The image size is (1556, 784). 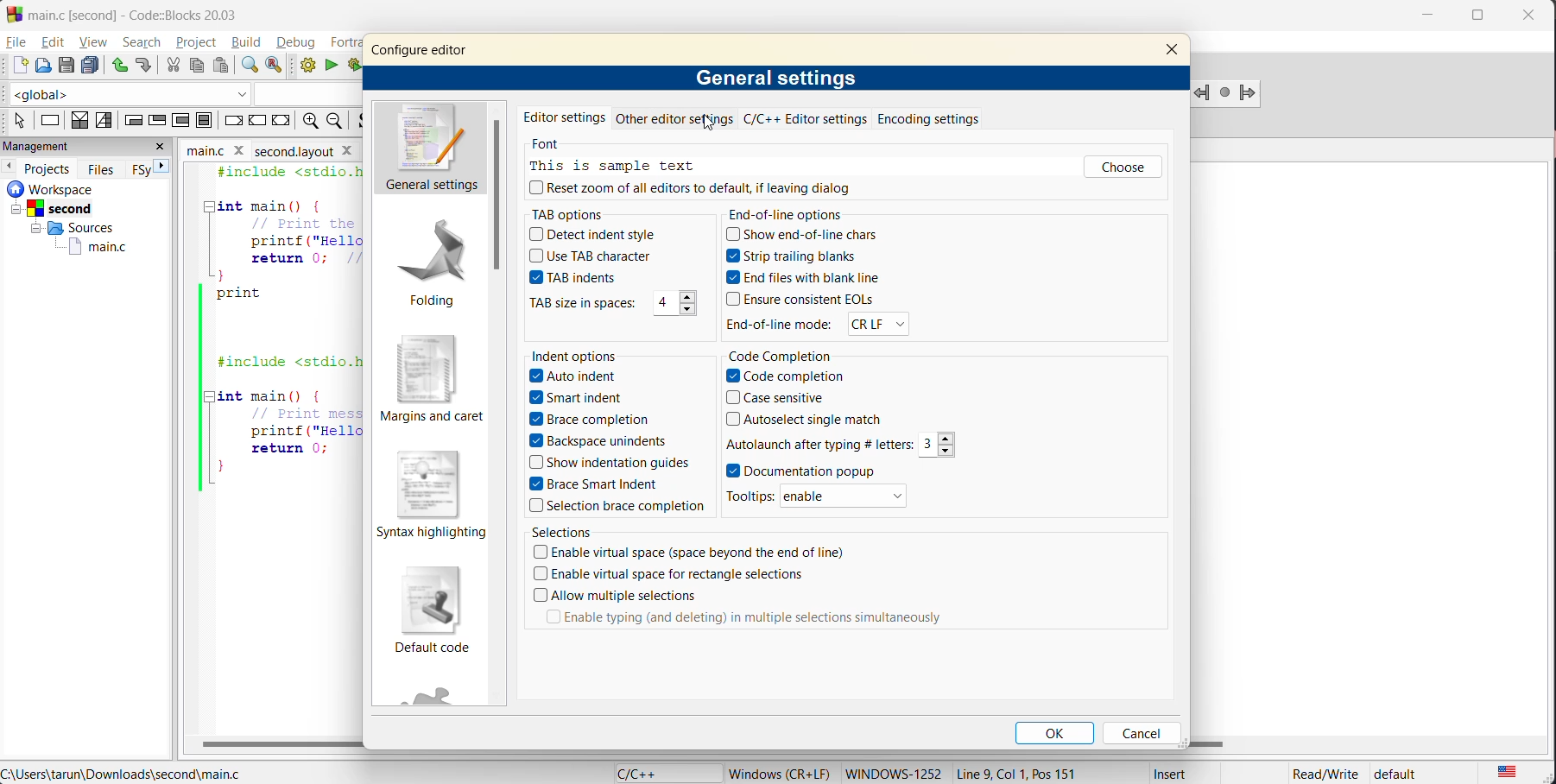 What do you see at coordinates (813, 420) in the screenshot?
I see `Autoselect single match` at bounding box center [813, 420].